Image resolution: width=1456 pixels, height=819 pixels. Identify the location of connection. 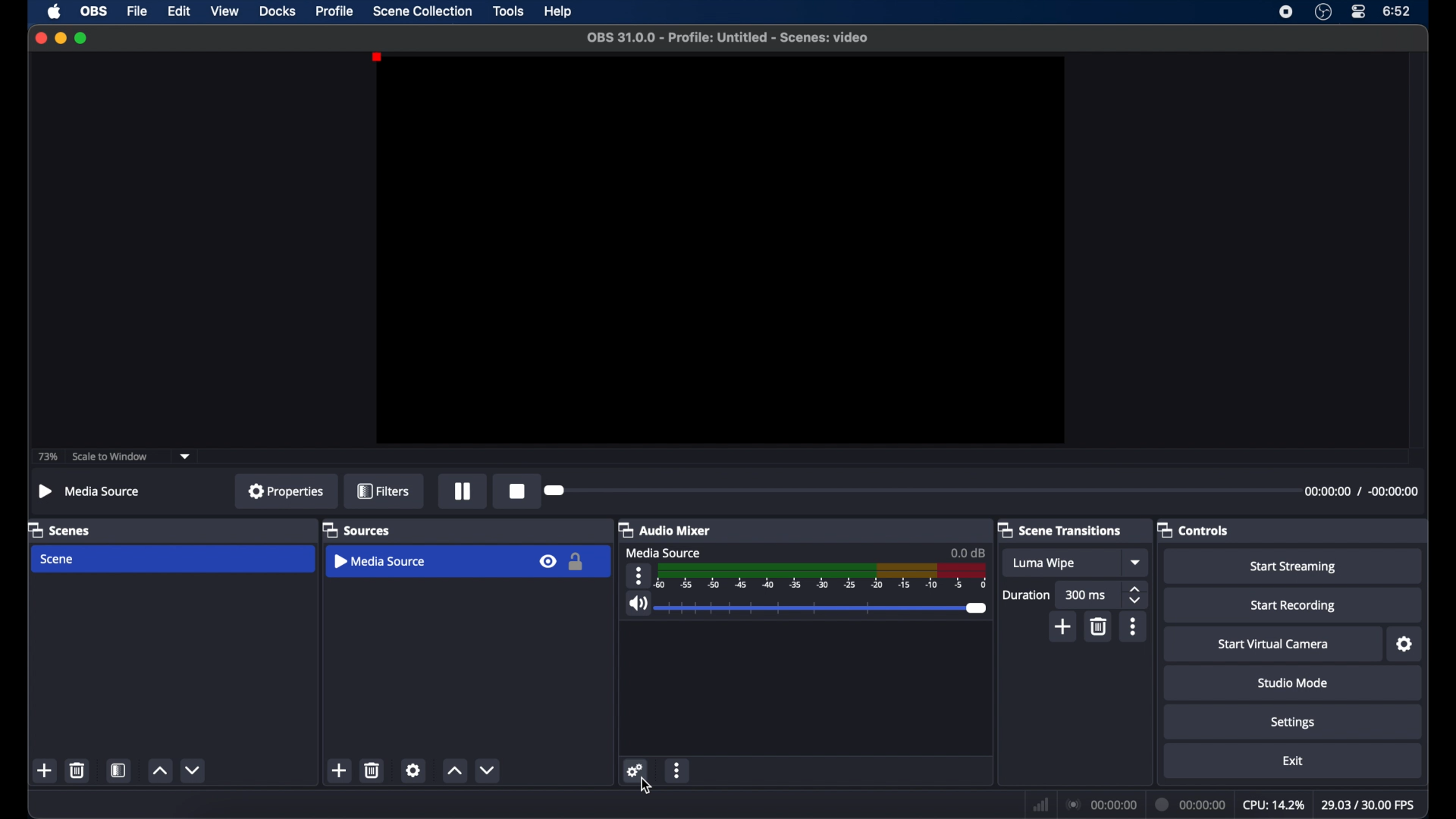
(1103, 805).